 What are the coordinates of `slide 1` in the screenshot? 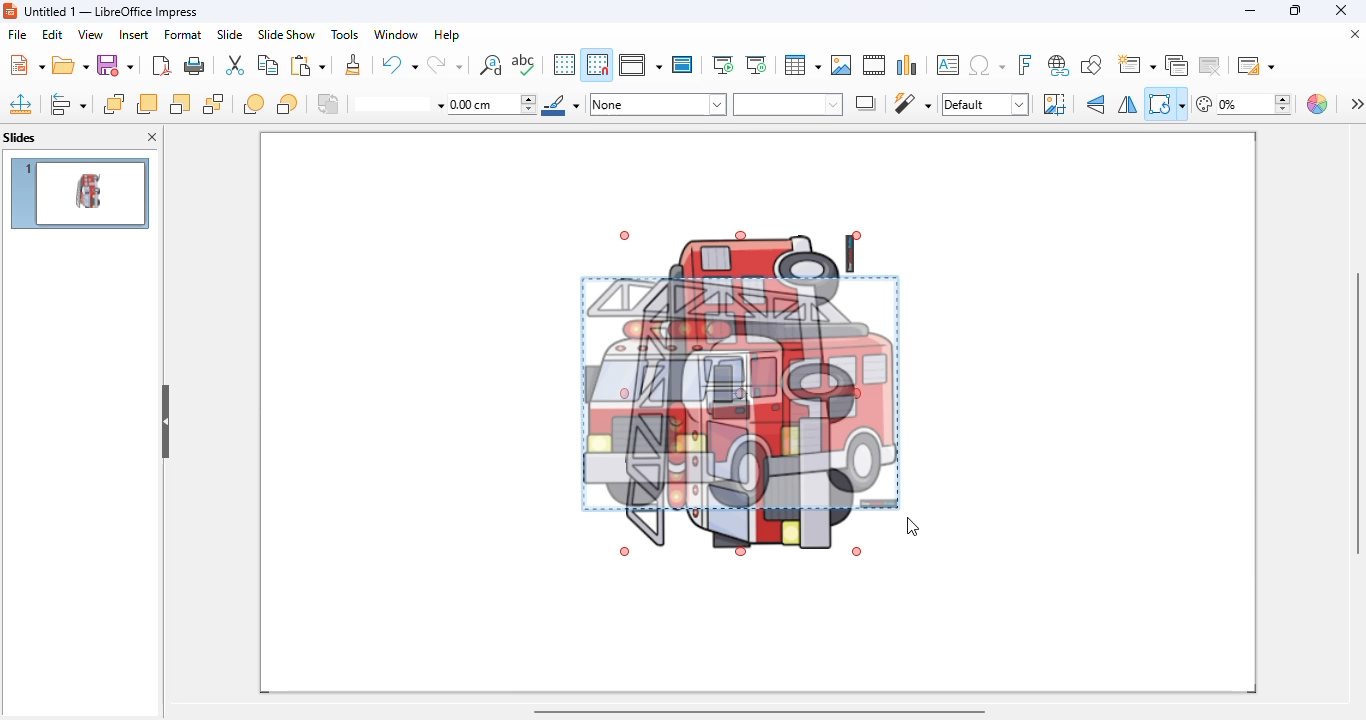 It's located at (79, 193).